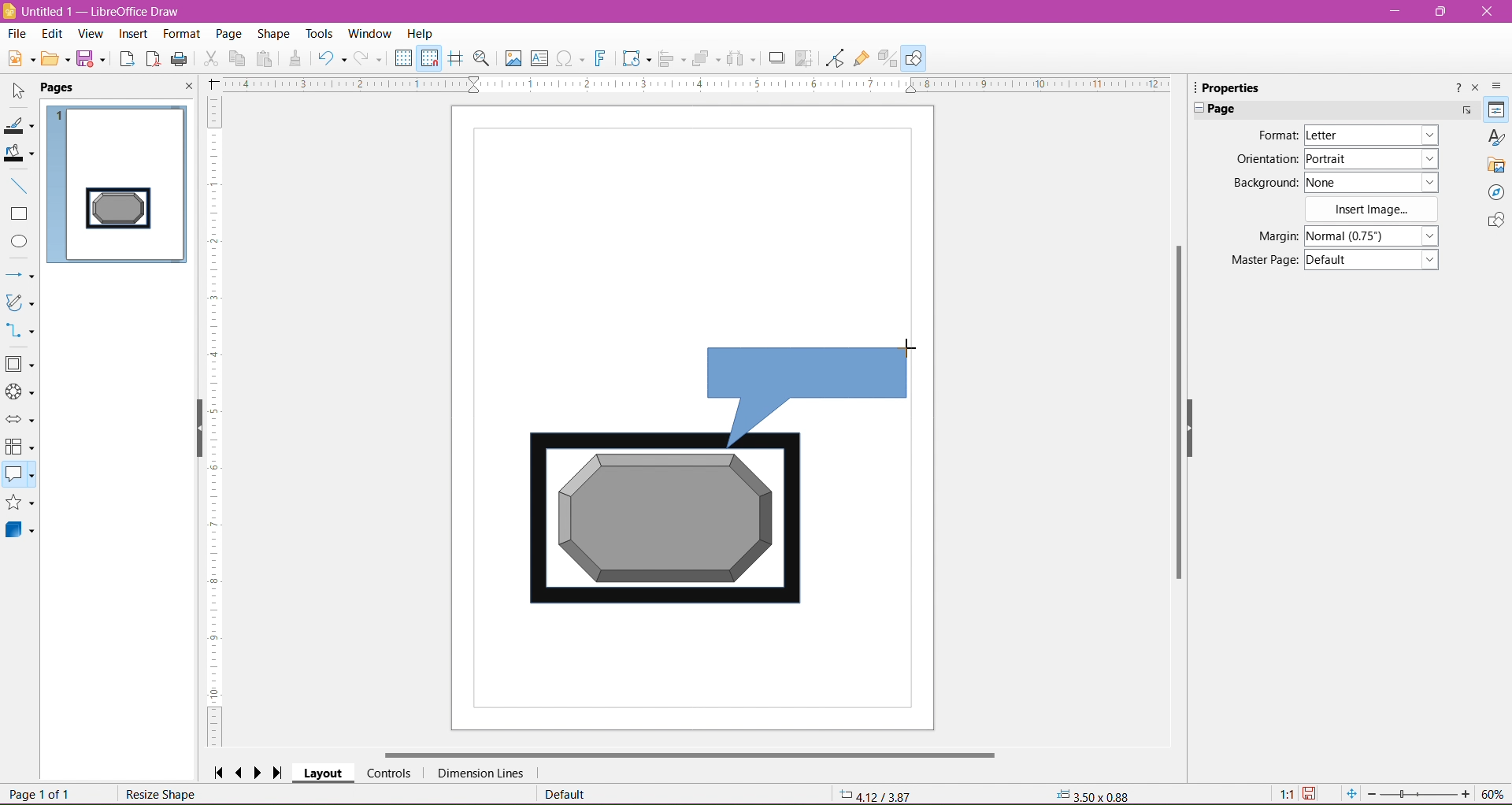 The width and height of the screenshot is (1512, 805). Describe the element at coordinates (43, 795) in the screenshot. I see `Page 1 of 1` at that location.